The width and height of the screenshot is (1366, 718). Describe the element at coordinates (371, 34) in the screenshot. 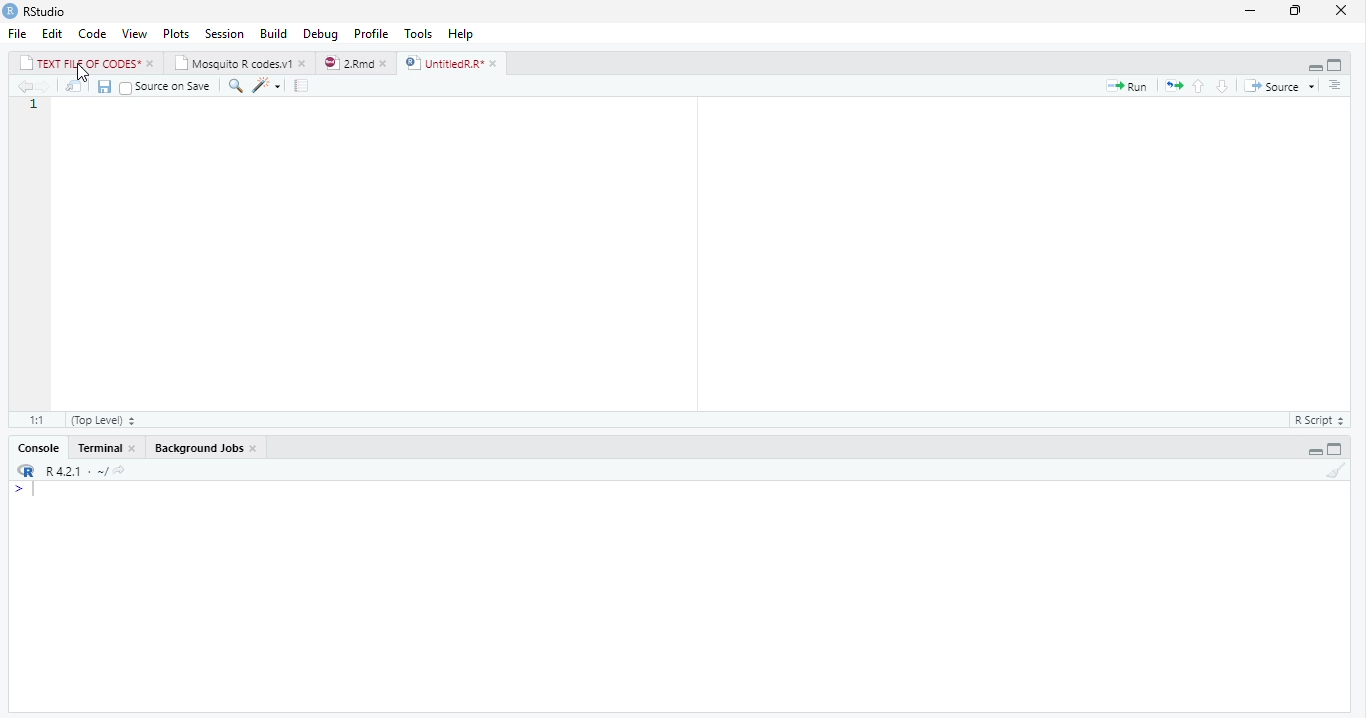

I see `profile` at that location.